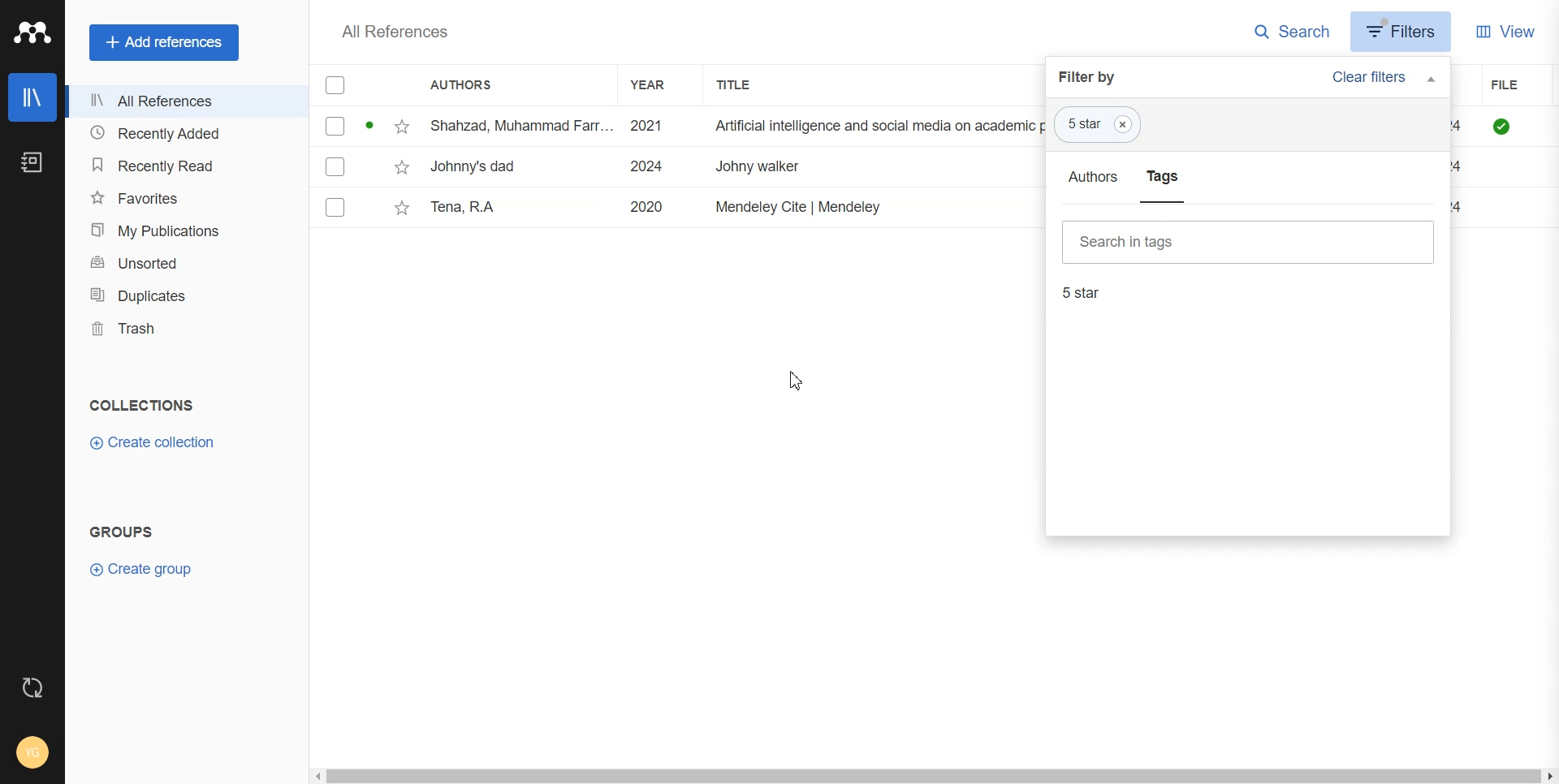  I want to click on My Publication, so click(184, 227).